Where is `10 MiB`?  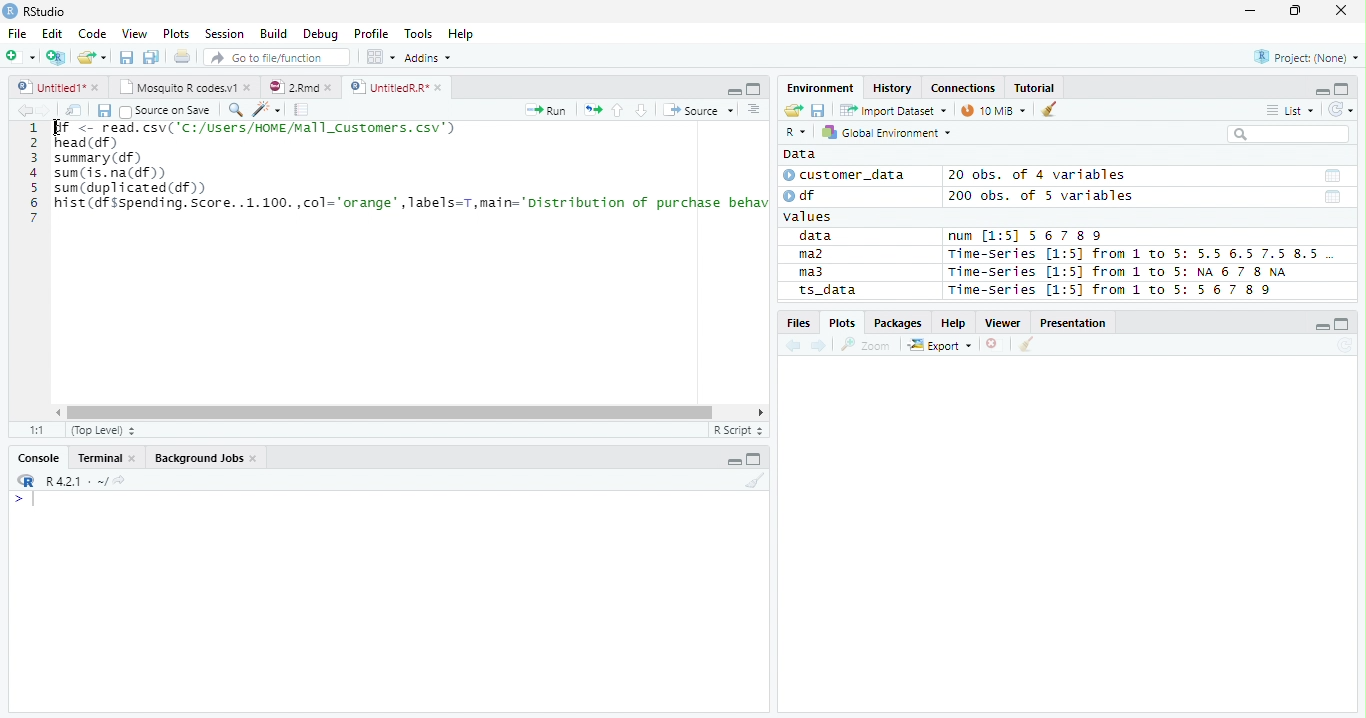 10 MiB is located at coordinates (995, 110).